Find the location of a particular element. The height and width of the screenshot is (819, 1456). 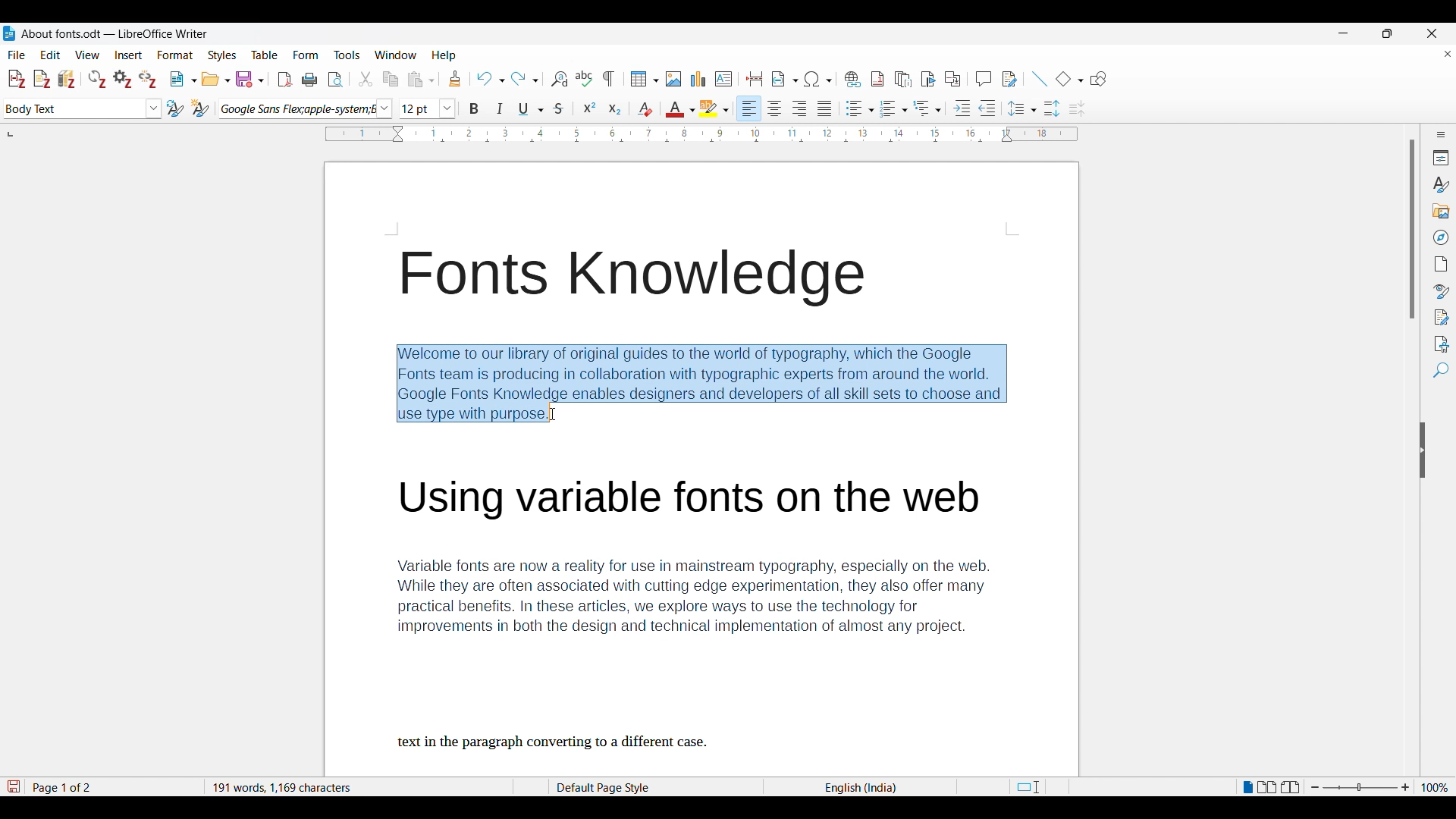

Styles menu is located at coordinates (222, 55).